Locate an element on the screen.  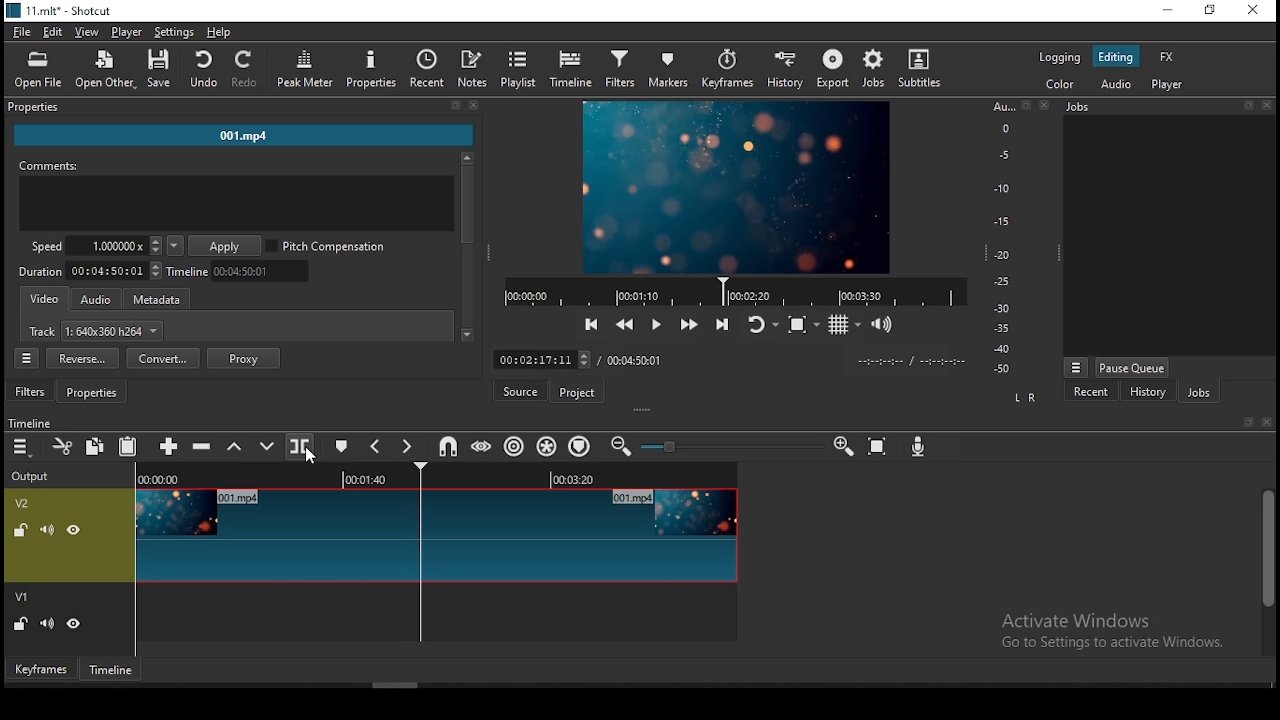
V1 is located at coordinates (24, 598).